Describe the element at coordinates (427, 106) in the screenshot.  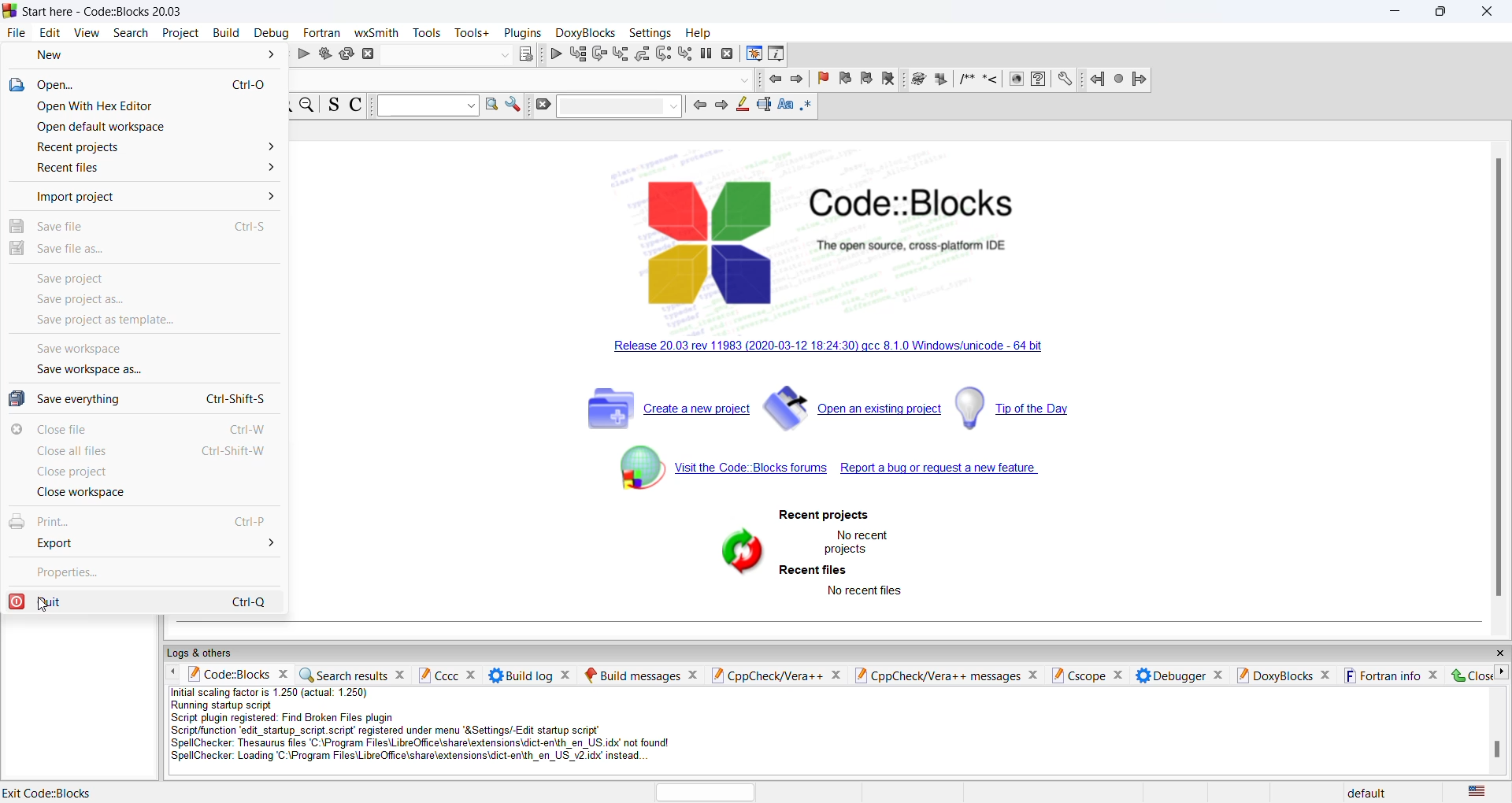
I see `dropdown button with textbox` at that location.